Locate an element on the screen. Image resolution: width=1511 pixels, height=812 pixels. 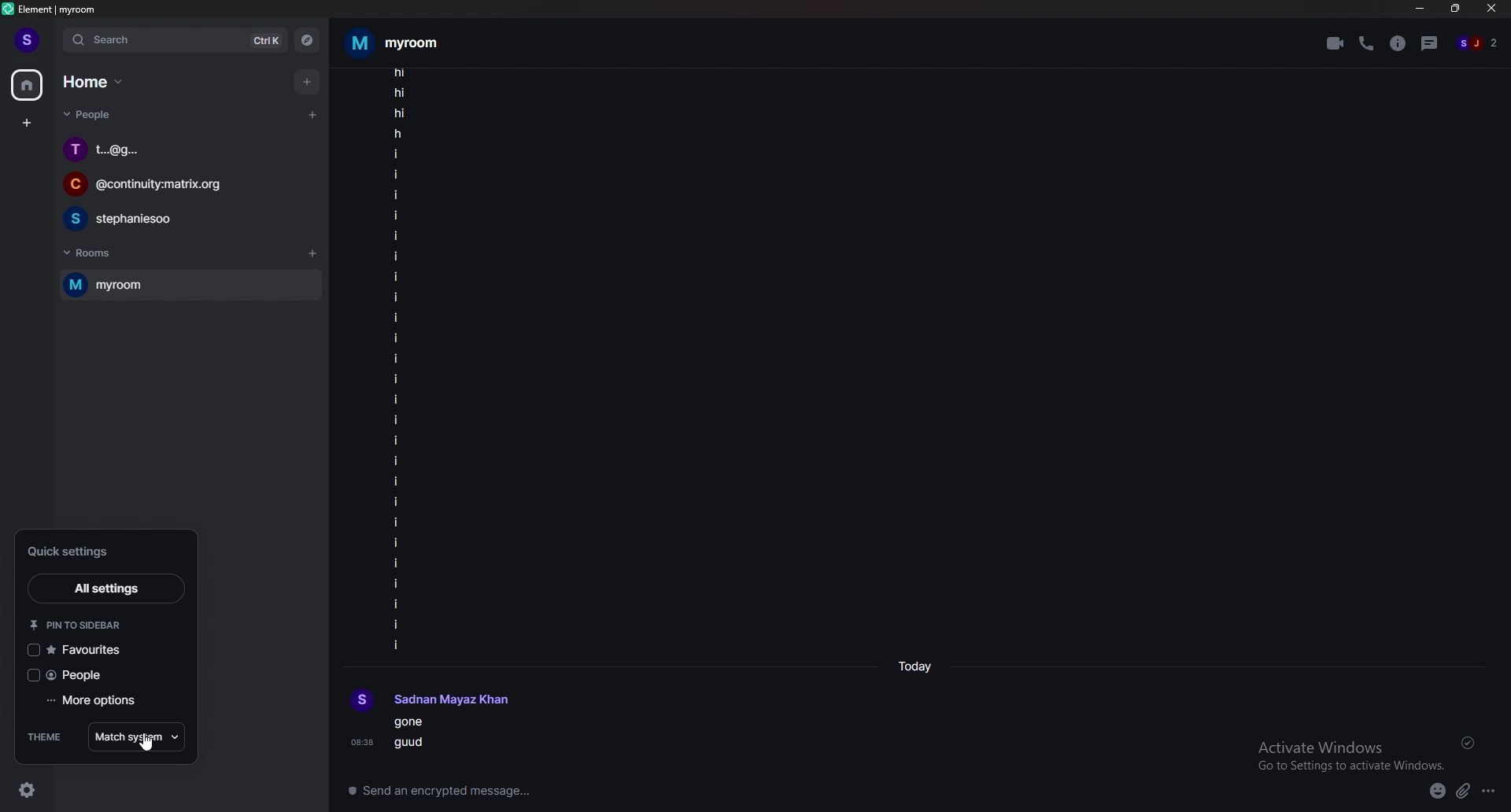
settings is located at coordinates (24, 789).